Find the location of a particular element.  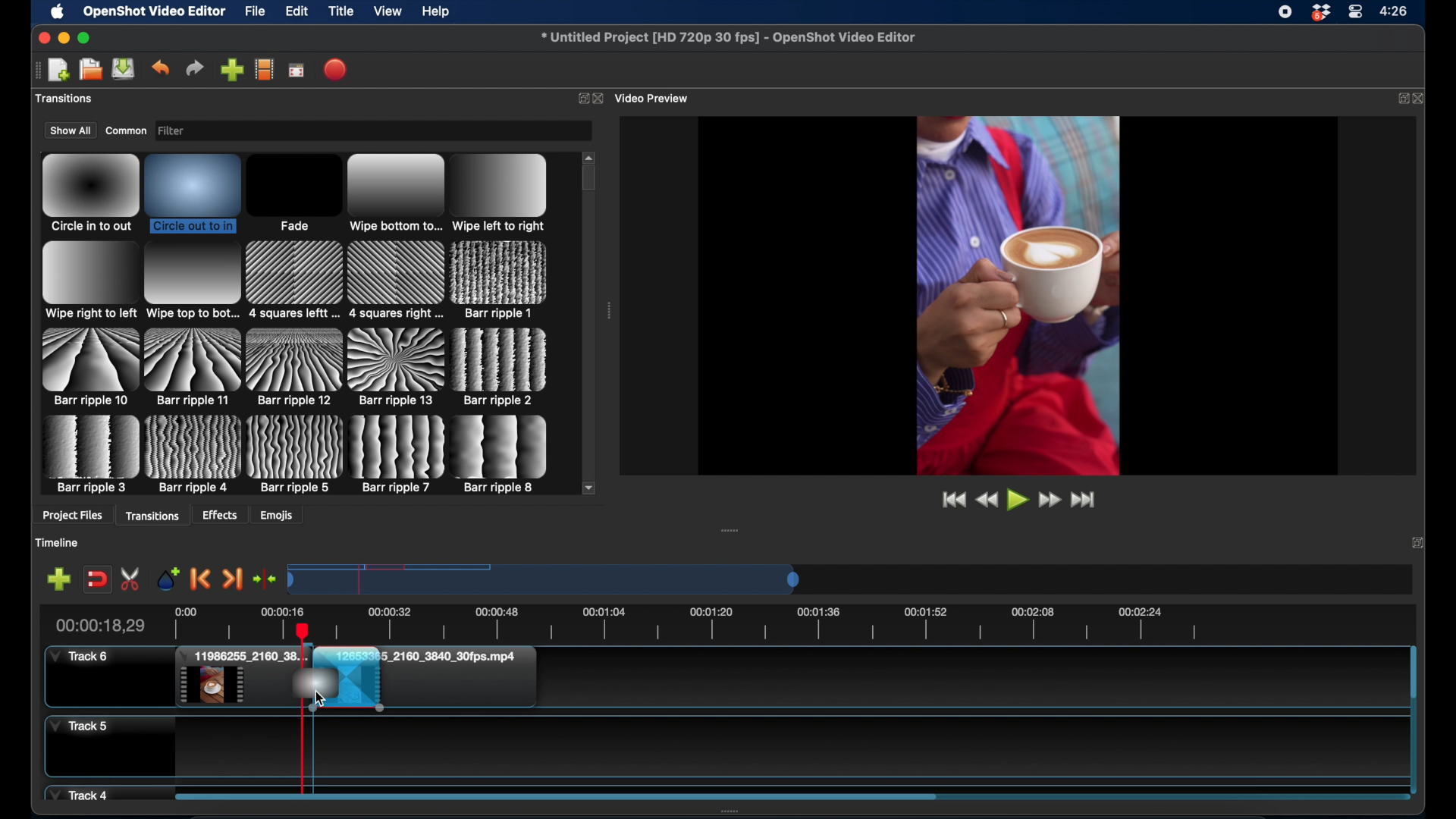

effects is located at coordinates (221, 515).